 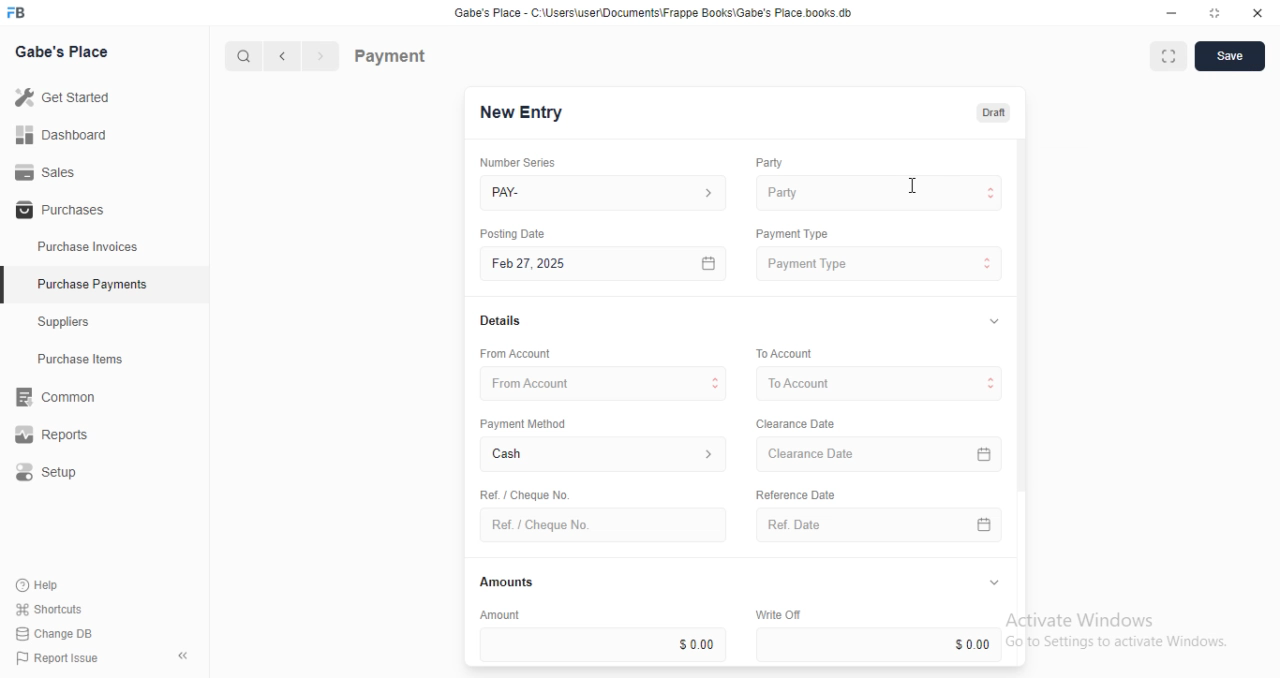 What do you see at coordinates (70, 324) in the screenshot?
I see `Suppliers` at bounding box center [70, 324].